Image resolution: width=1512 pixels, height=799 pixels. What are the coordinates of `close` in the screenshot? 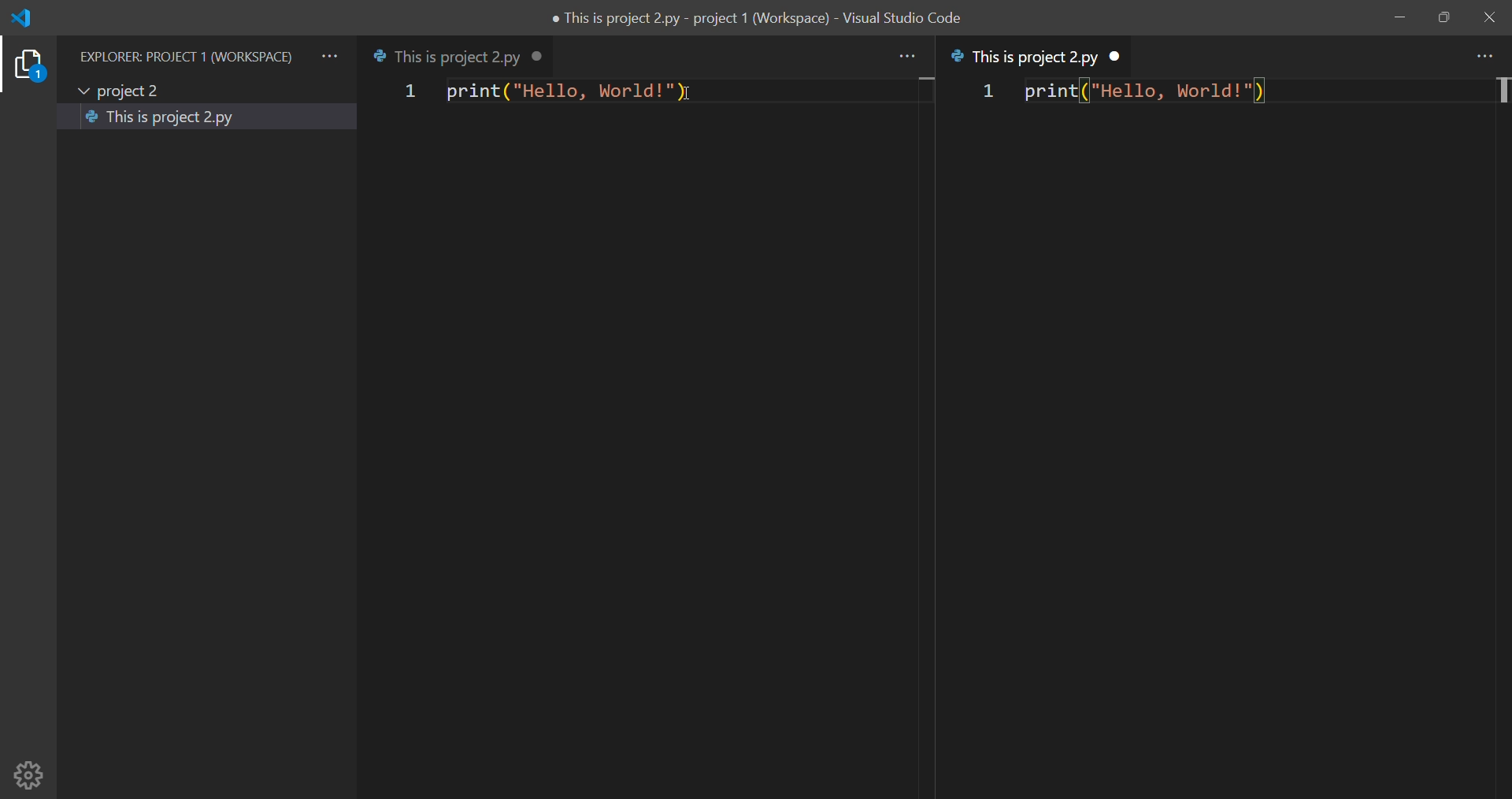 It's located at (1117, 56).